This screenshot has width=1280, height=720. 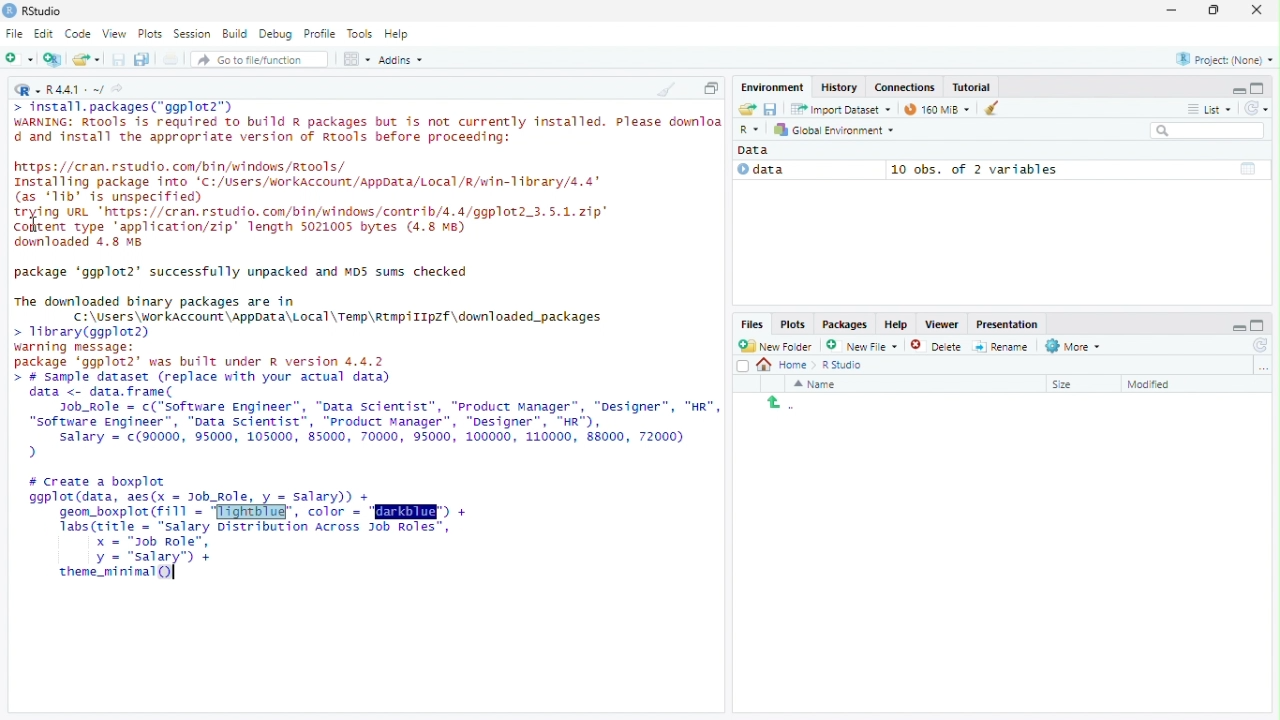 I want to click on RStudio, so click(x=44, y=9).